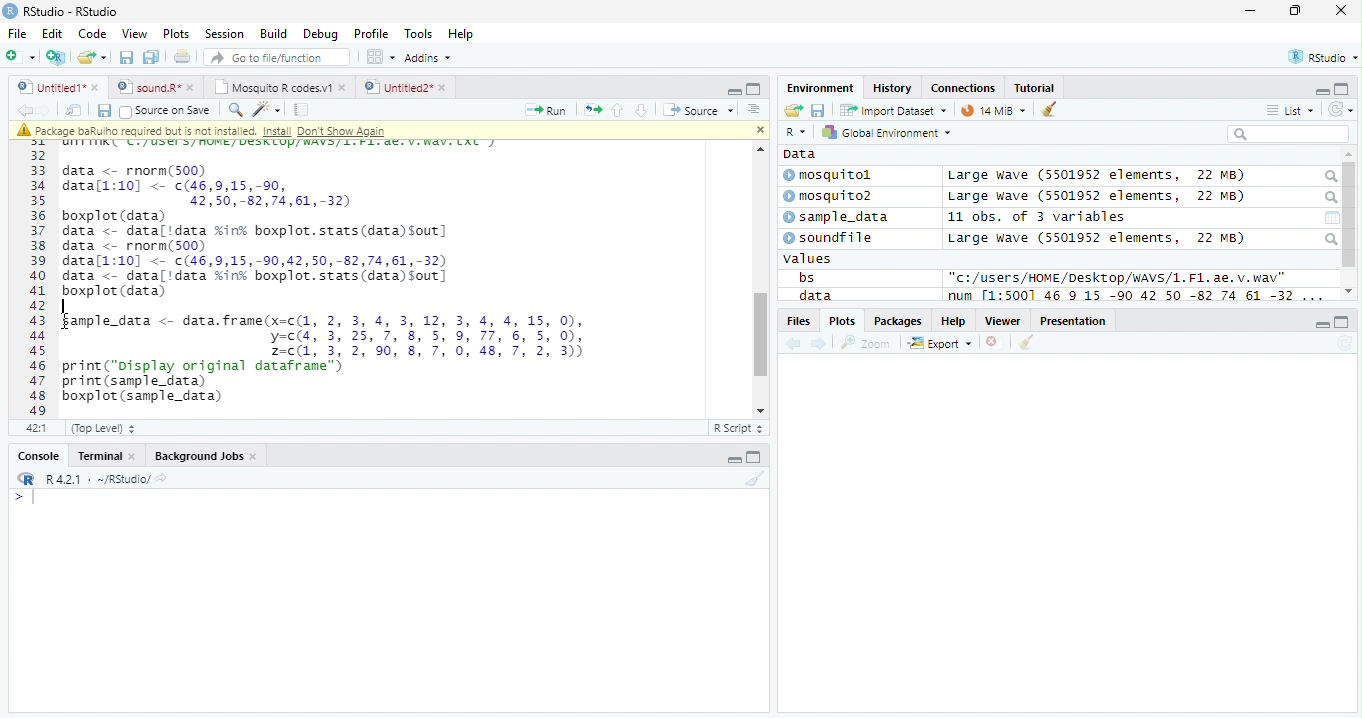  What do you see at coordinates (1341, 110) in the screenshot?
I see `Refresh` at bounding box center [1341, 110].